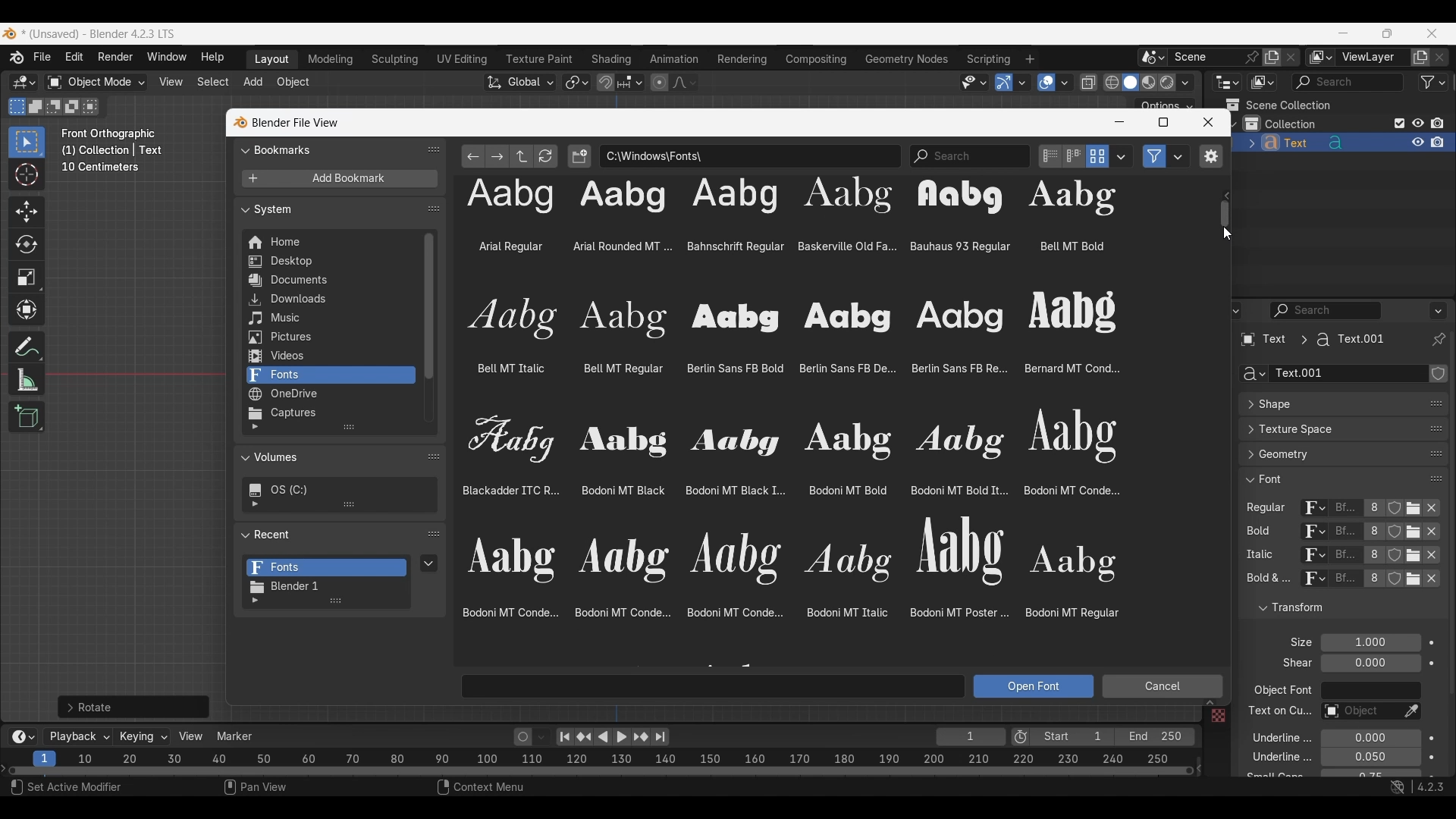 The image size is (1456, 819). Describe the element at coordinates (329, 300) in the screenshot. I see `Downloads folder` at that location.